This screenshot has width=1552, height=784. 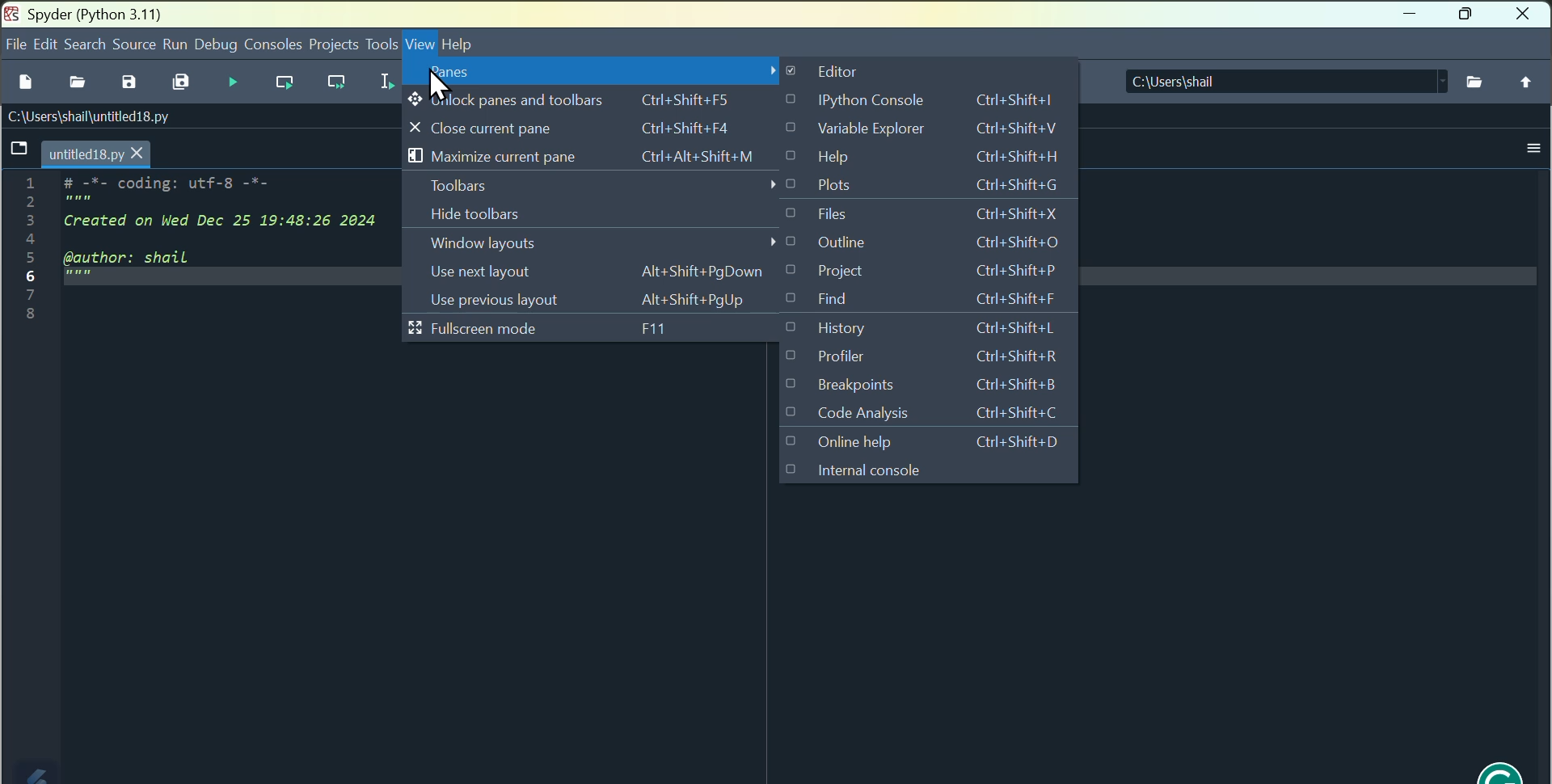 What do you see at coordinates (337, 83) in the screenshot?
I see `run current cell or method` at bounding box center [337, 83].